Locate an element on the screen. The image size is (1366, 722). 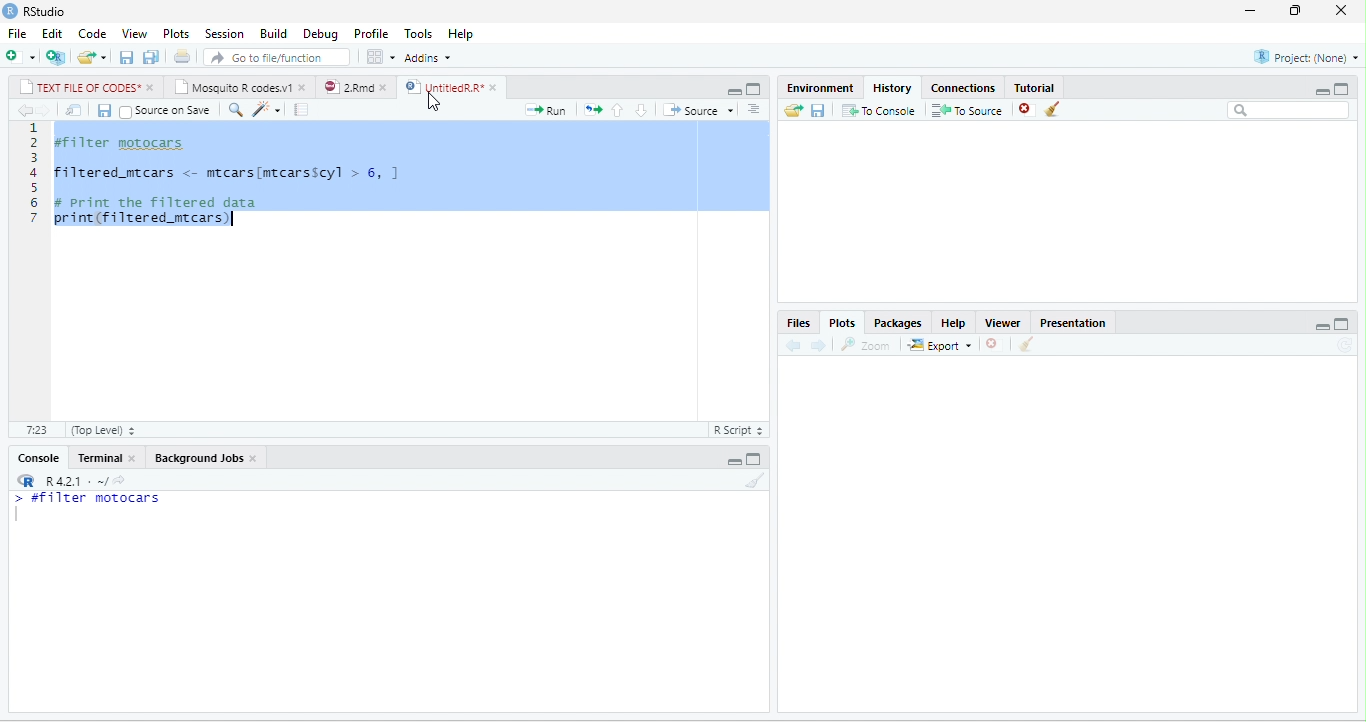
compile report is located at coordinates (301, 109).